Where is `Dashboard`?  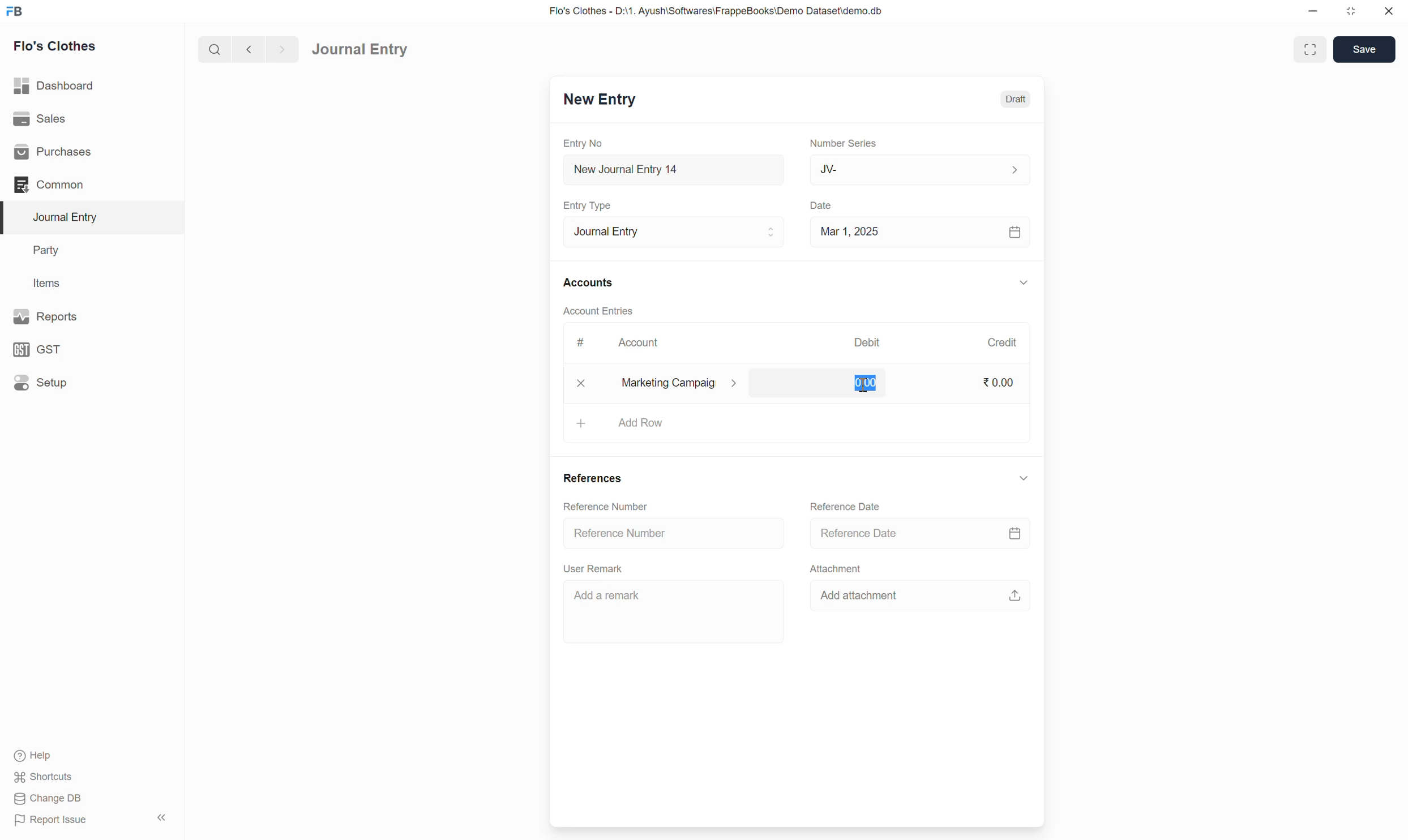 Dashboard is located at coordinates (55, 85).